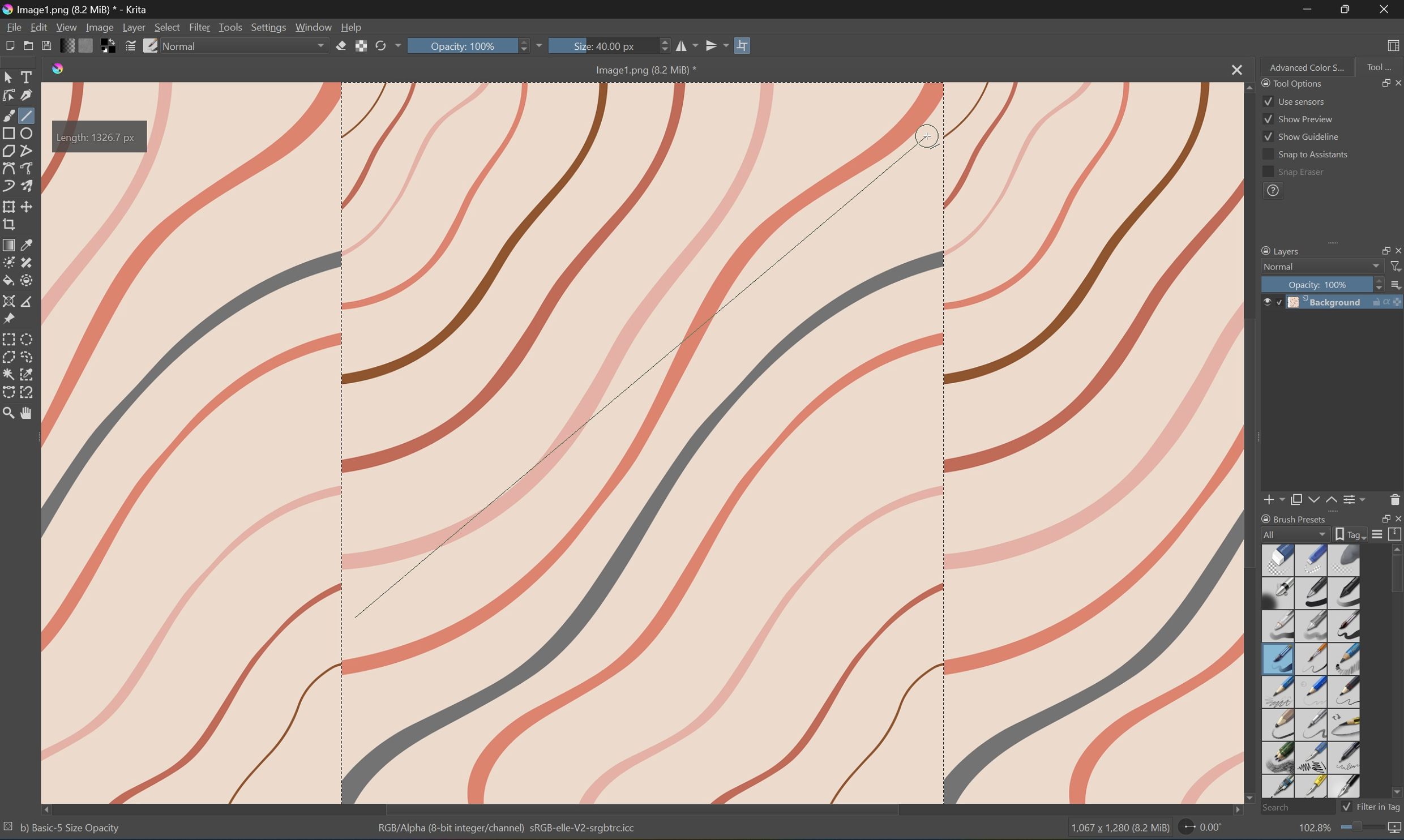  I want to click on Image1.png (8.2 MB), so click(641, 70).